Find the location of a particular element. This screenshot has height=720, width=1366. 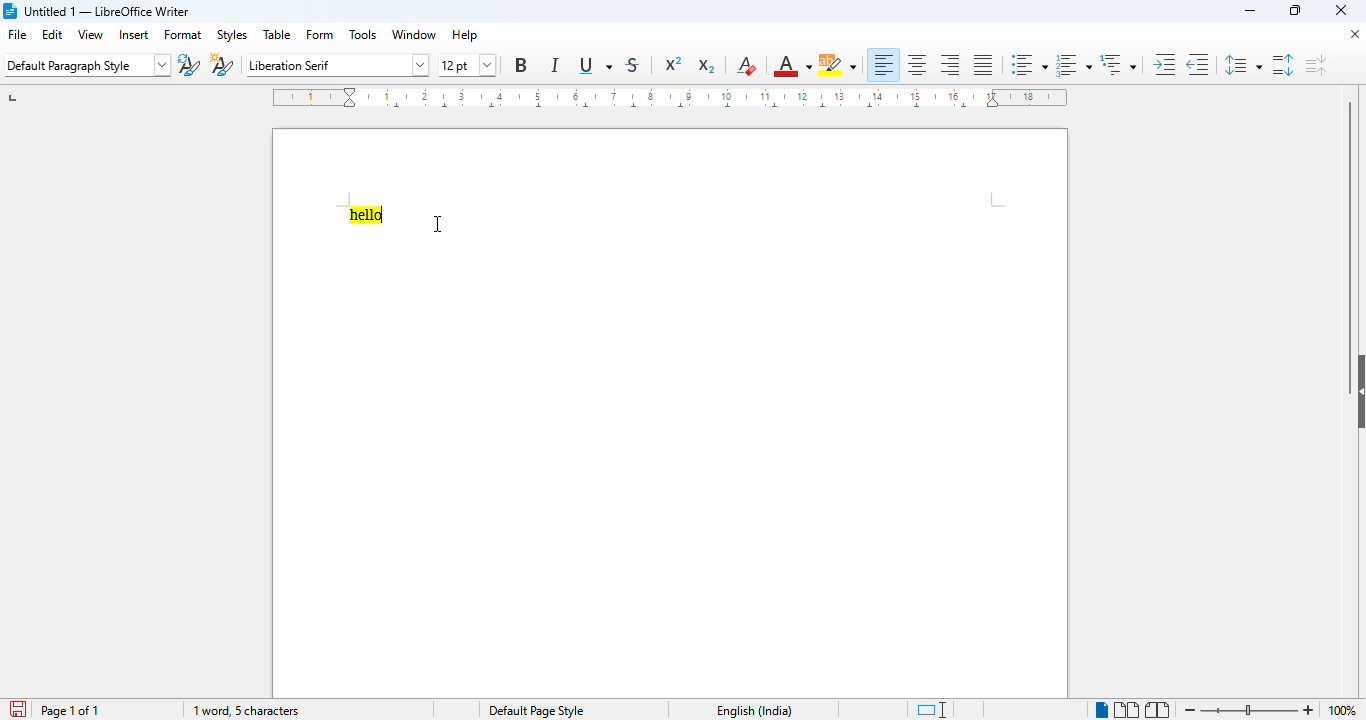

vertical scroll bar is located at coordinates (1354, 214).